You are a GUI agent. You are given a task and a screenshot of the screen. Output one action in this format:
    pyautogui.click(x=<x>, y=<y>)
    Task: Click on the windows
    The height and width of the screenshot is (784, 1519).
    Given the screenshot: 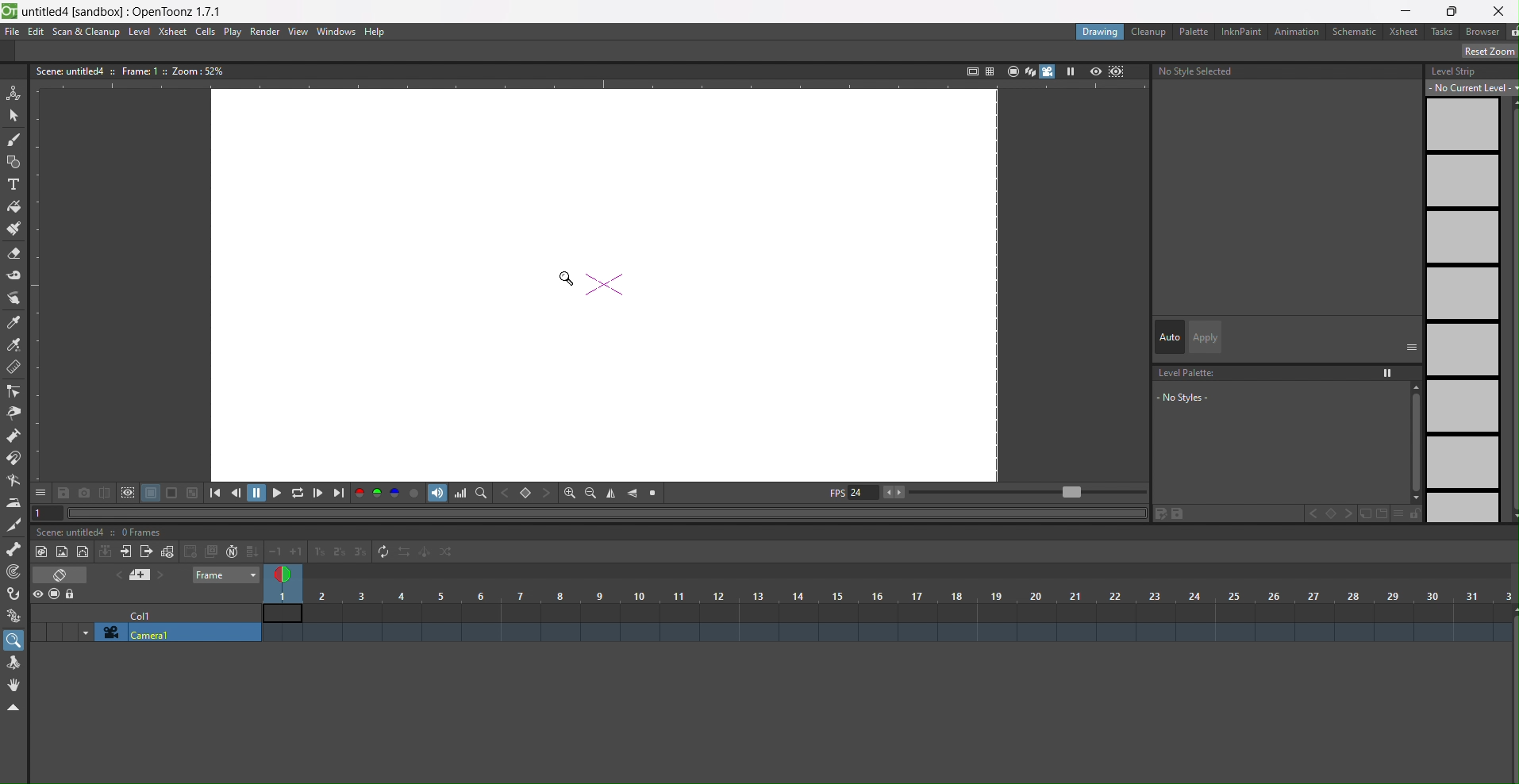 What is the action you would take?
    pyautogui.click(x=337, y=33)
    